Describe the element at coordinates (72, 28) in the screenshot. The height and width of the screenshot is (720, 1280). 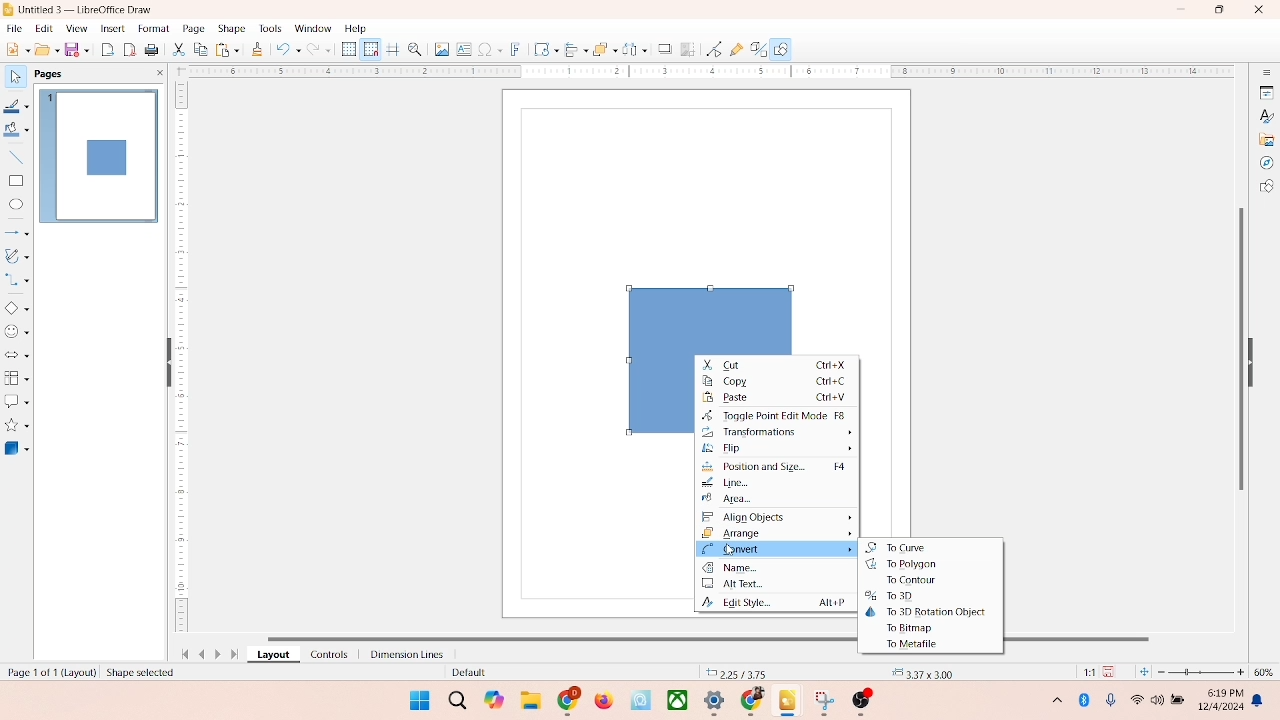
I see `view` at that location.